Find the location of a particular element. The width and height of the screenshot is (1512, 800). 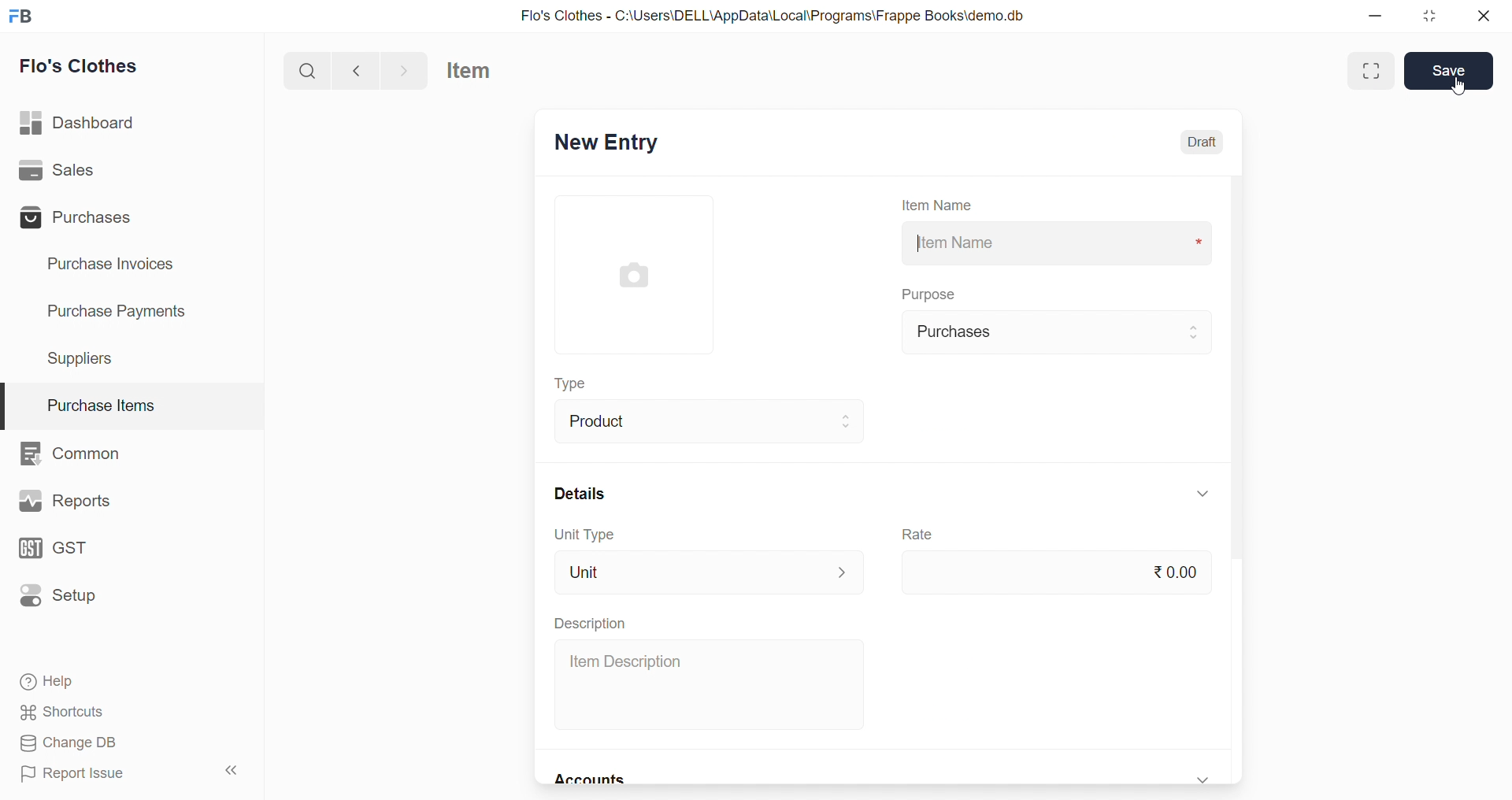

Item is located at coordinates (480, 71).